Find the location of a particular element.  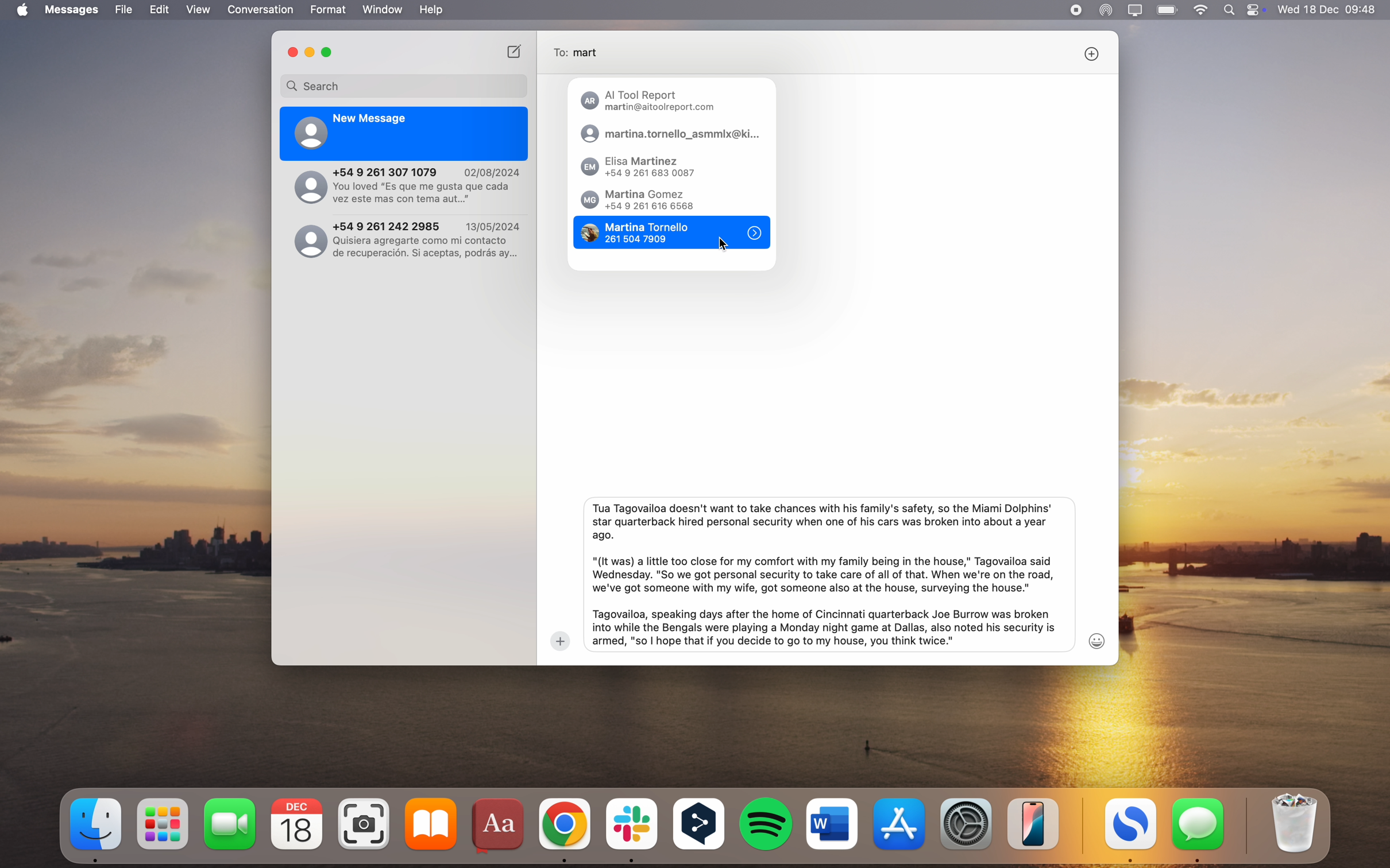

AI tool report is located at coordinates (651, 102).